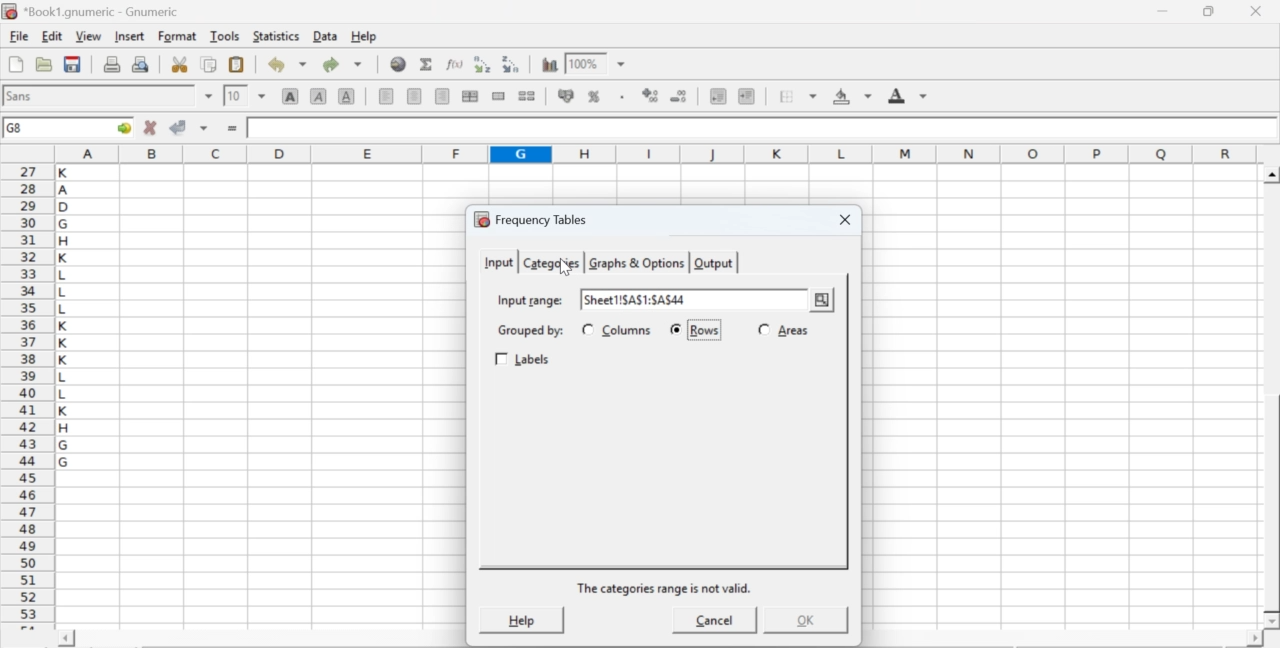 Image resolution: width=1280 pixels, height=648 pixels. Describe the element at coordinates (366, 37) in the screenshot. I see `help` at that location.